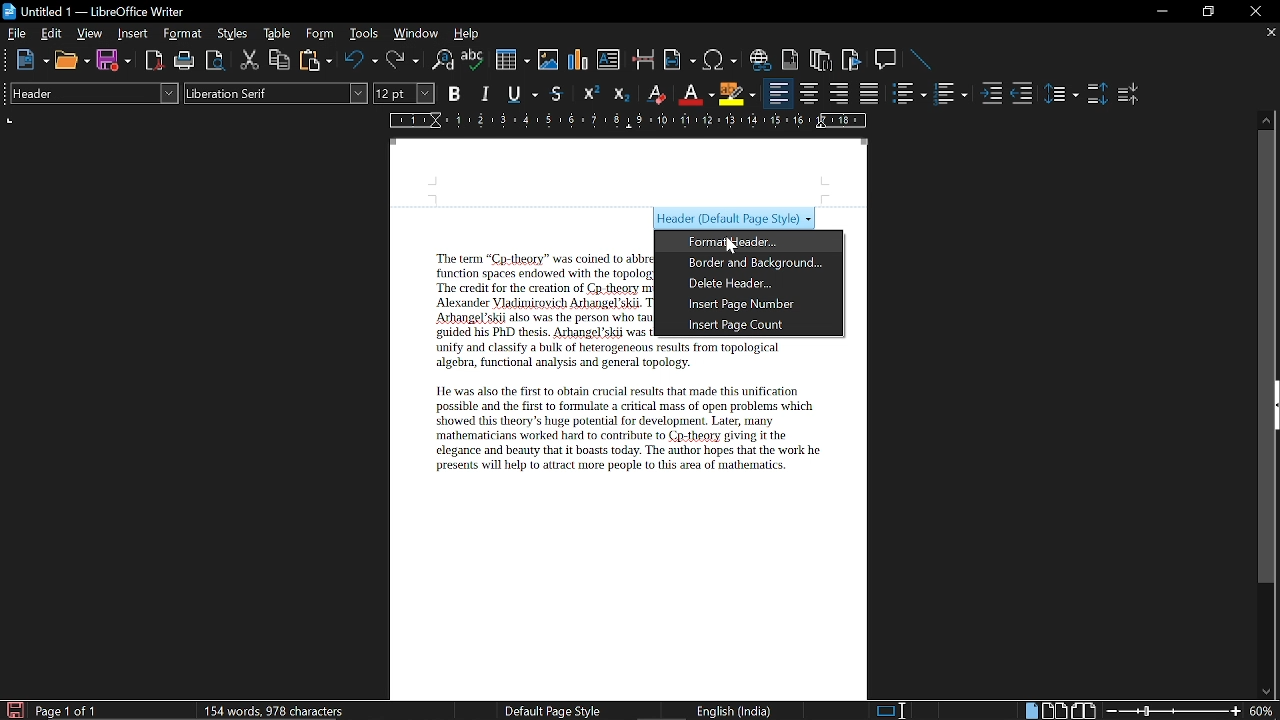  What do you see at coordinates (17, 33) in the screenshot?
I see `File` at bounding box center [17, 33].